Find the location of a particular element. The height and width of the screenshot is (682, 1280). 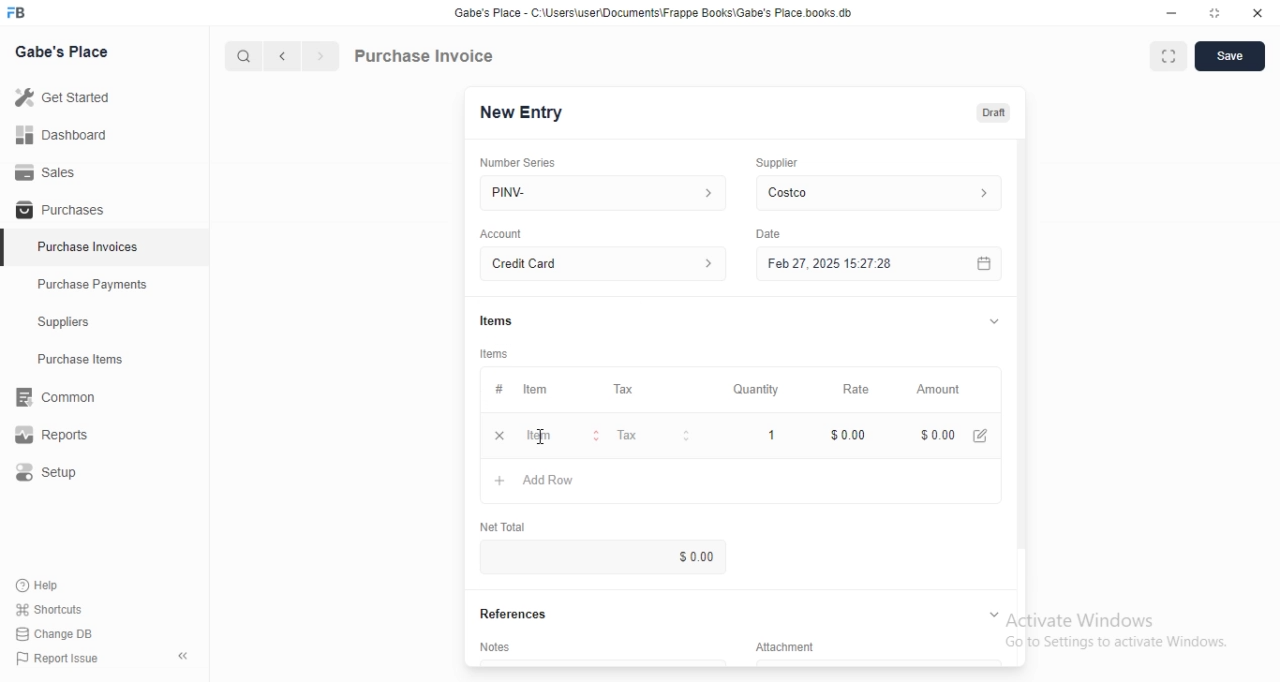

1 is located at coordinates (752, 435).